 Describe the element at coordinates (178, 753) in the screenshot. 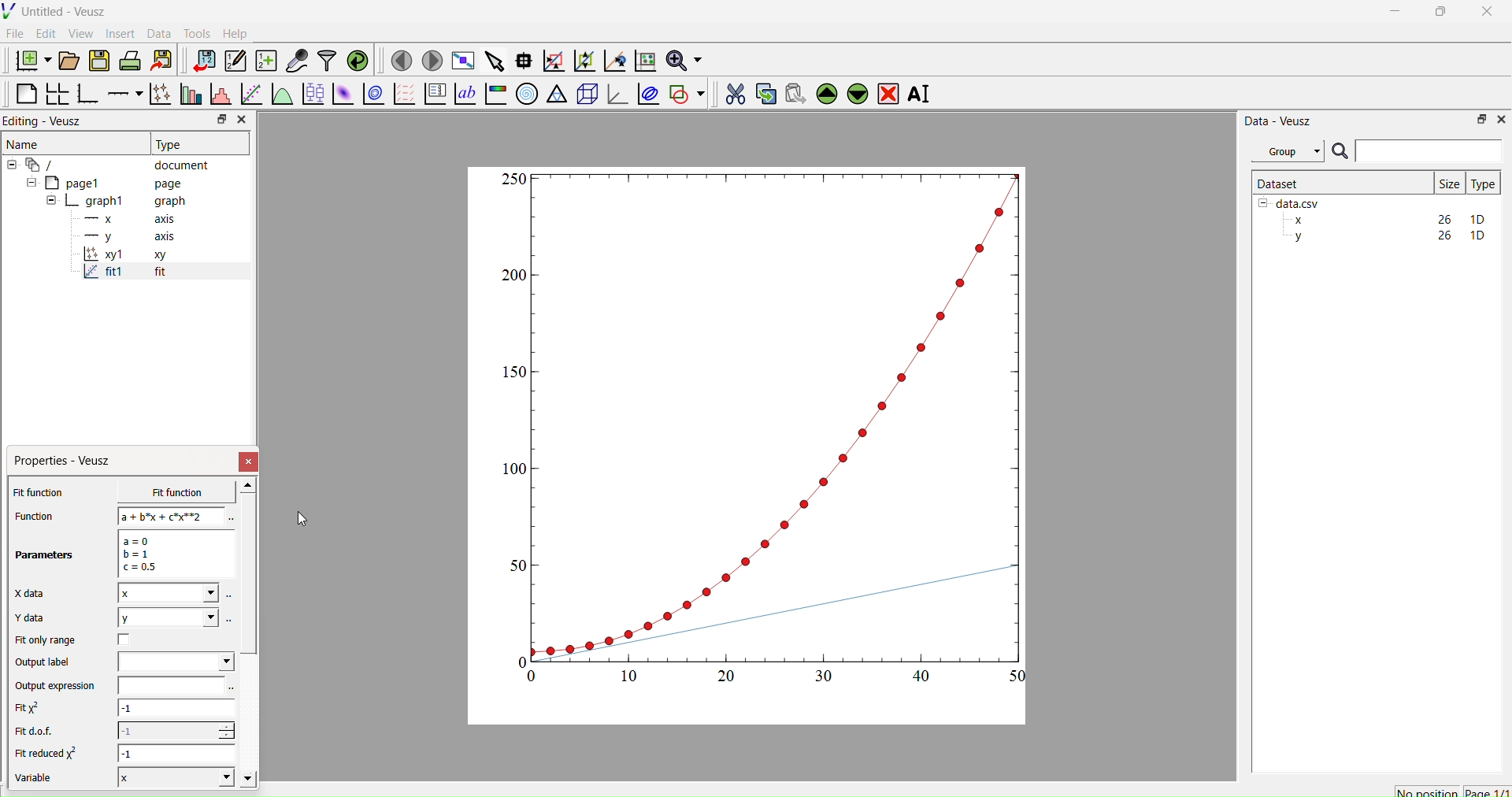

I see `-1` at that location.